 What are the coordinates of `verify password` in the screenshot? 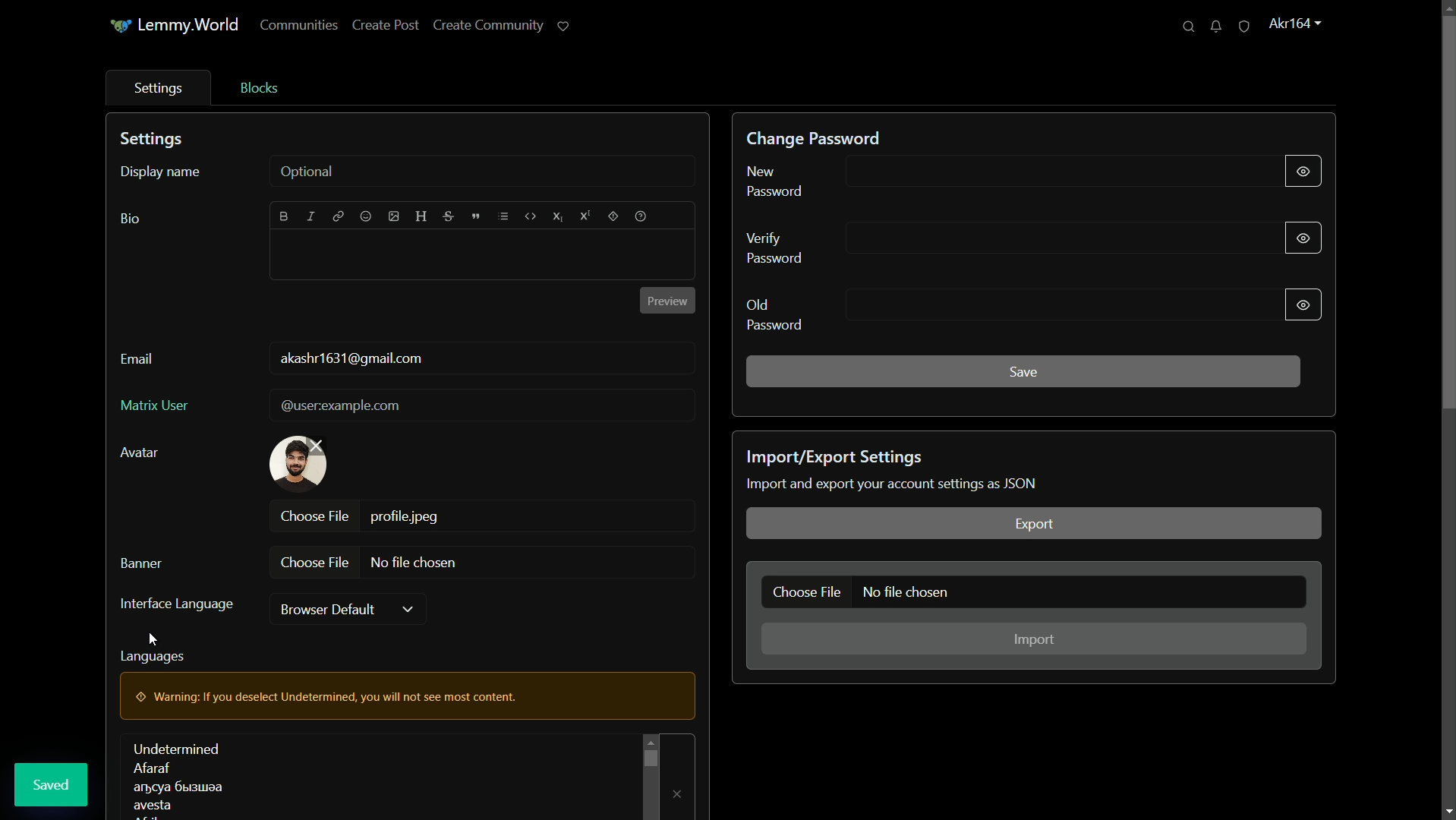 It's located at (780, 248).